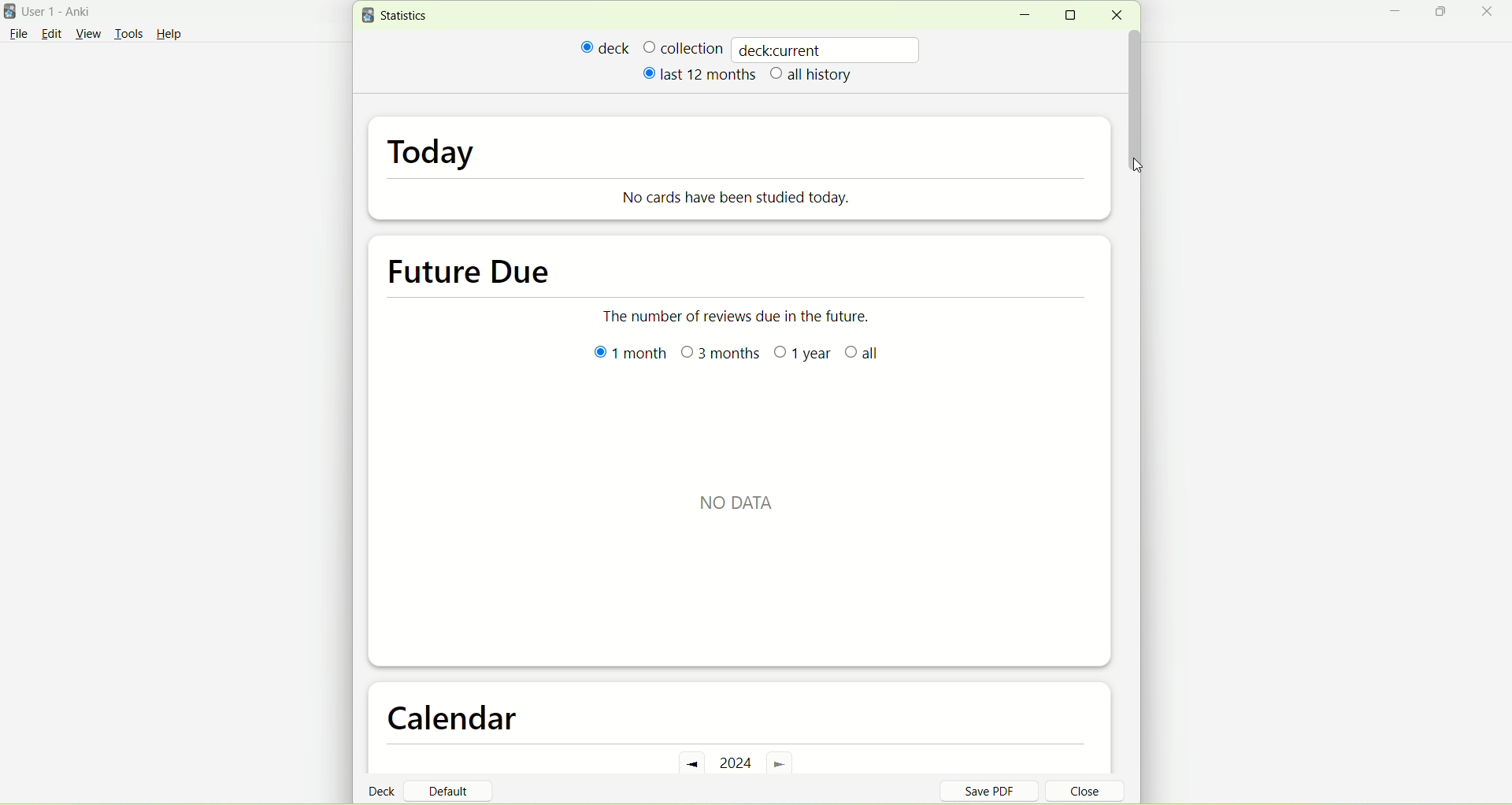 The width and height of the screenshot is (1512, 805). Describe the element at coordinates (828, 49) in the screenshot. I see `deckcurrent` at that location.